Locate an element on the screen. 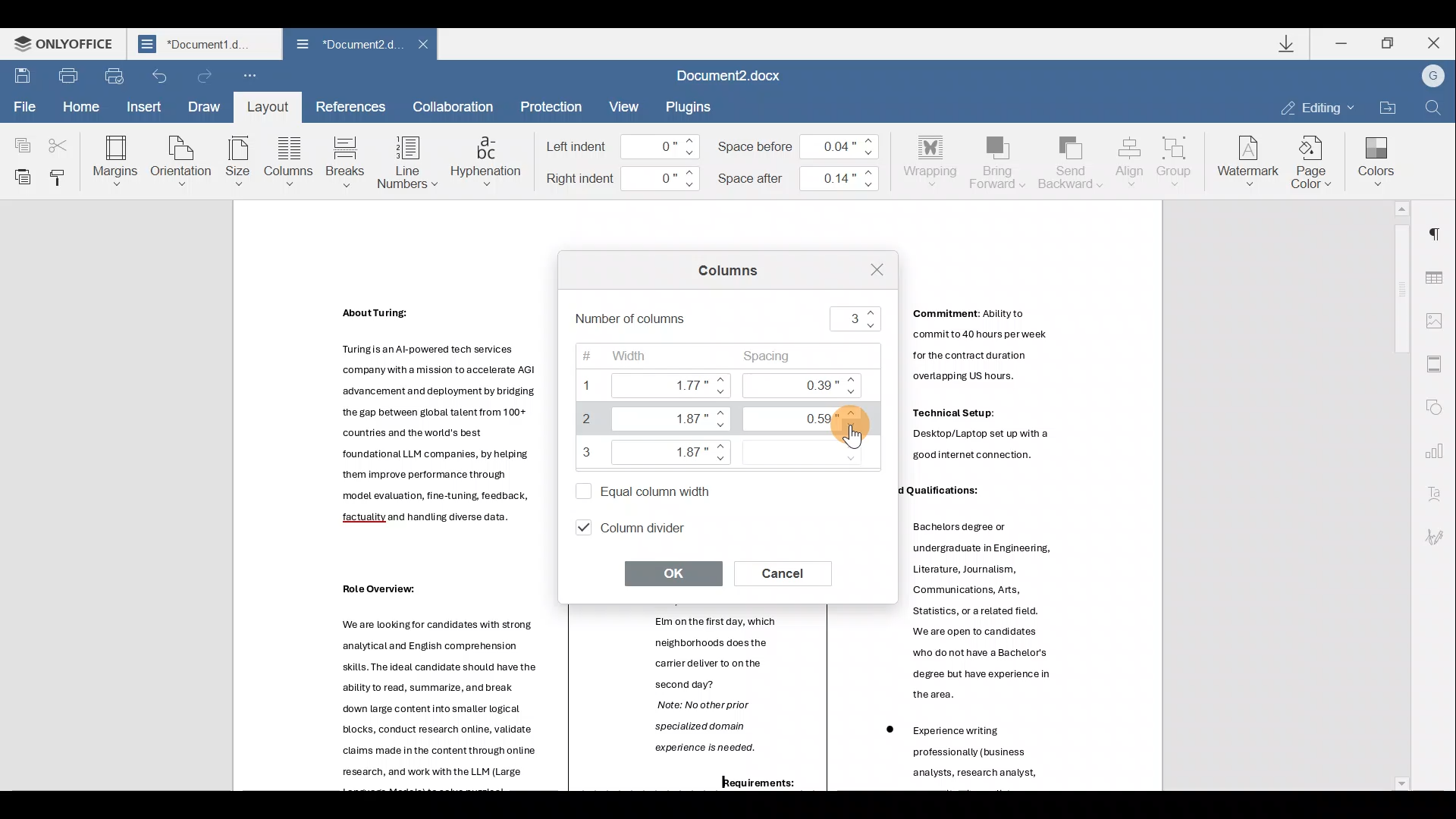 This screenshot has height=819, width=1456. Equal column width is located at coordinates (637, 487).